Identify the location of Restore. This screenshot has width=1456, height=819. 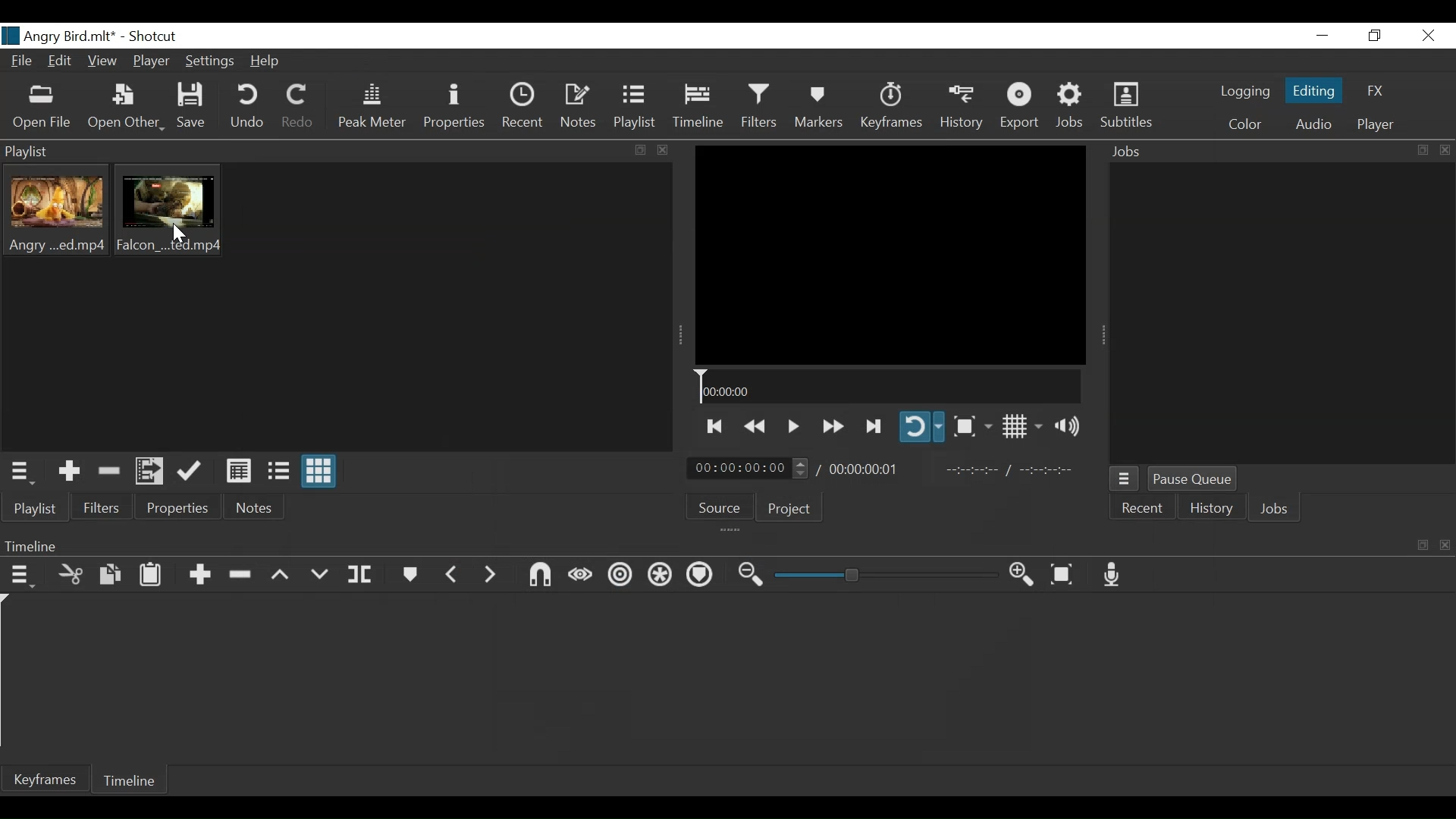
(1375, 36).